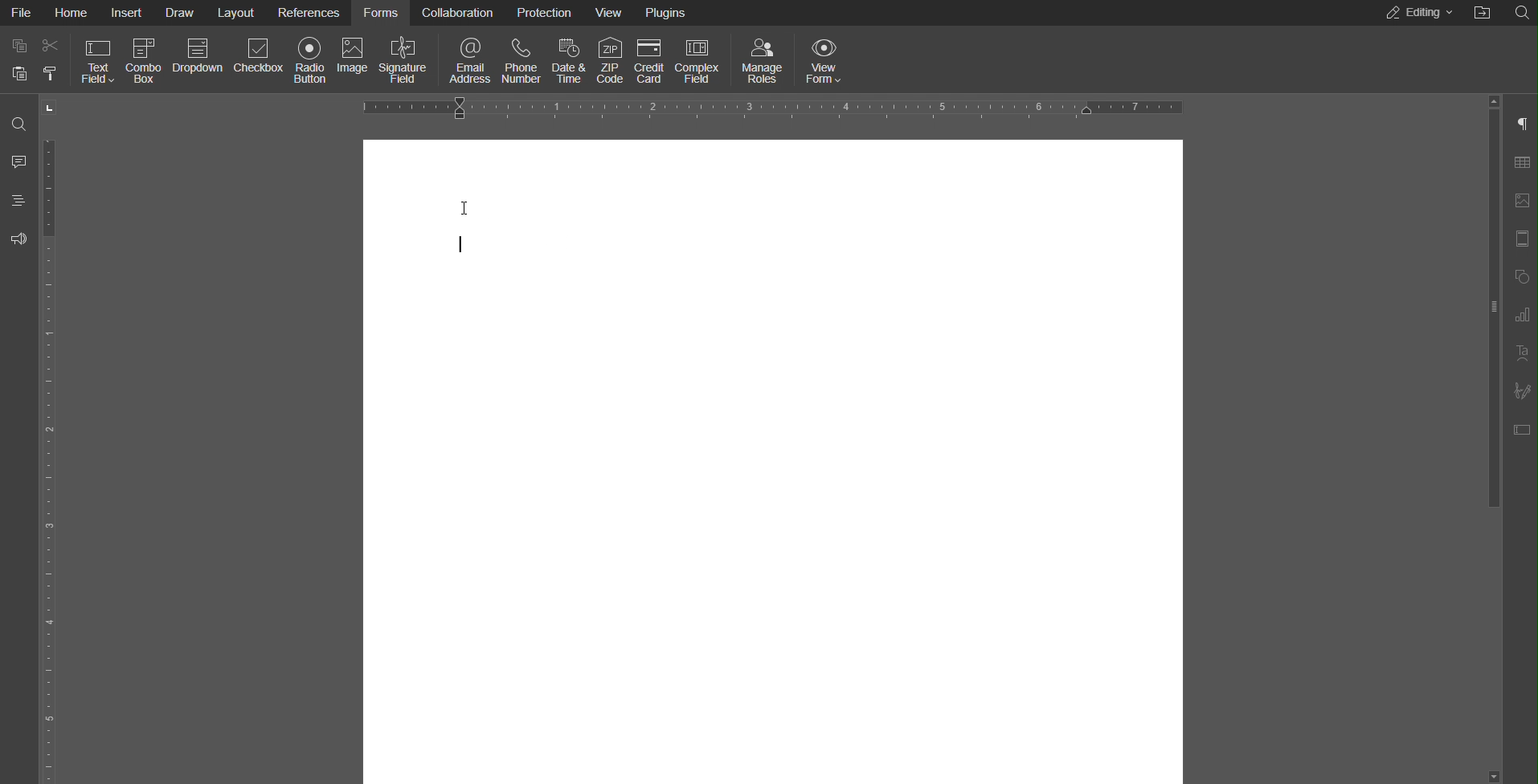  I want to click on Zip Code, so click(612, 58).